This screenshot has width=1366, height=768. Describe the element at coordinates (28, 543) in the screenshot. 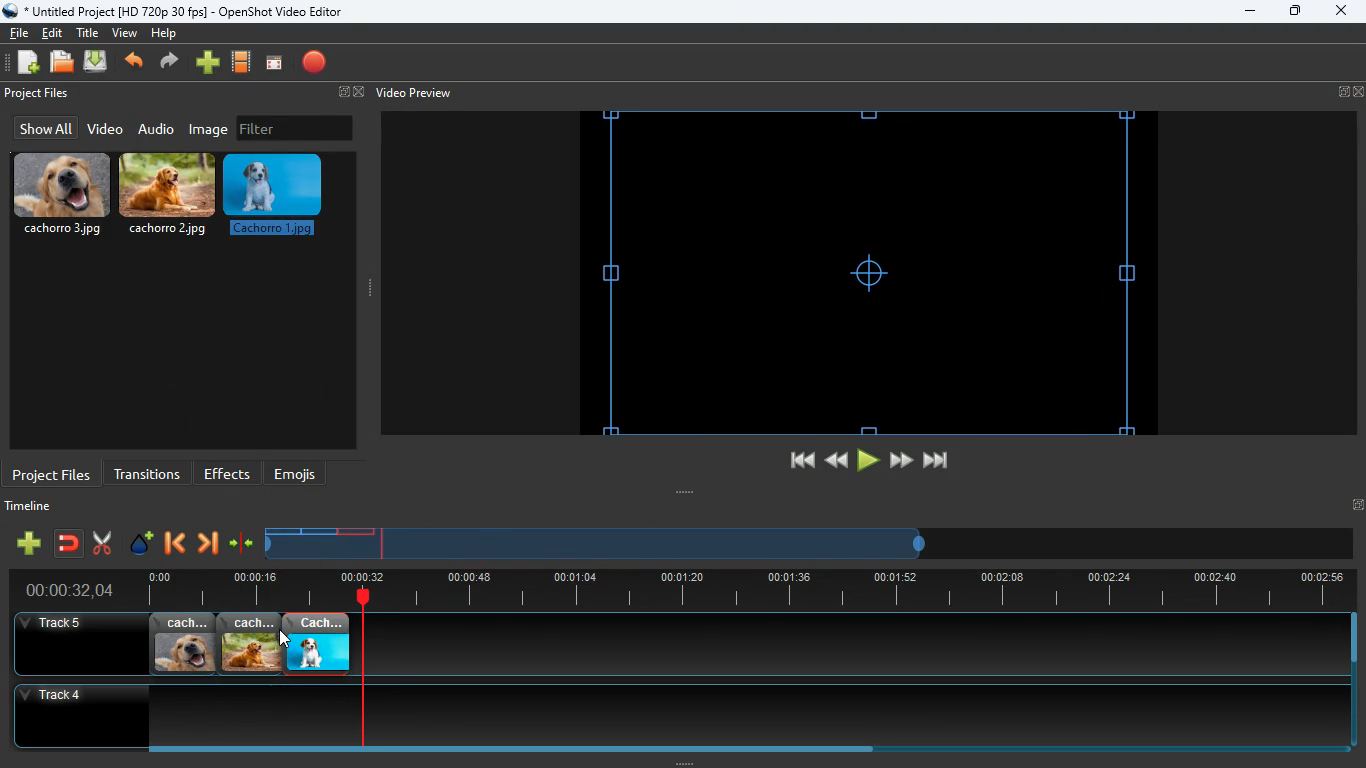

I see `add` at that location.